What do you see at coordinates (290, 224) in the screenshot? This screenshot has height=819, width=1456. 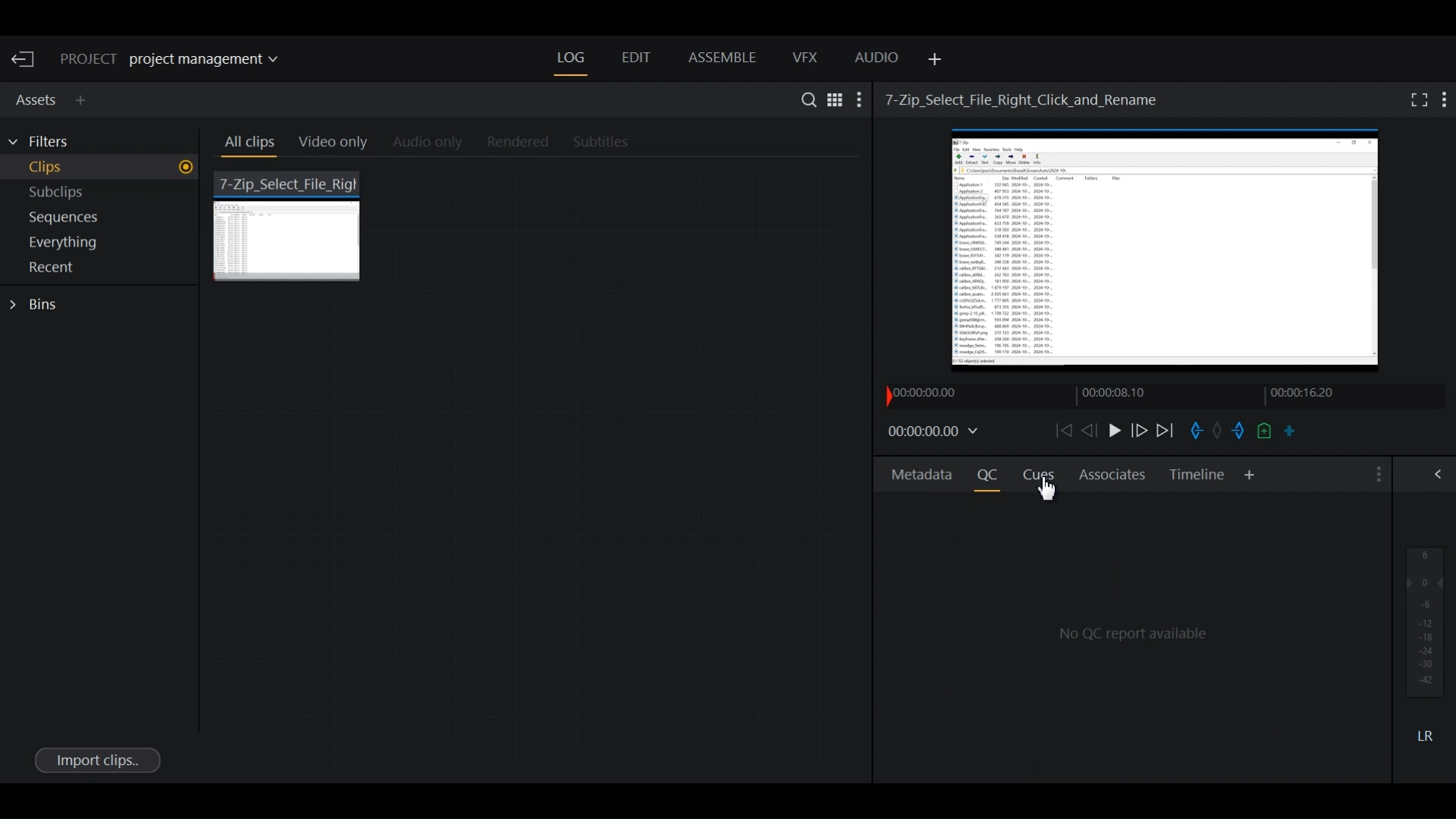 I see `7 zip` at bounding box center [290, 224].